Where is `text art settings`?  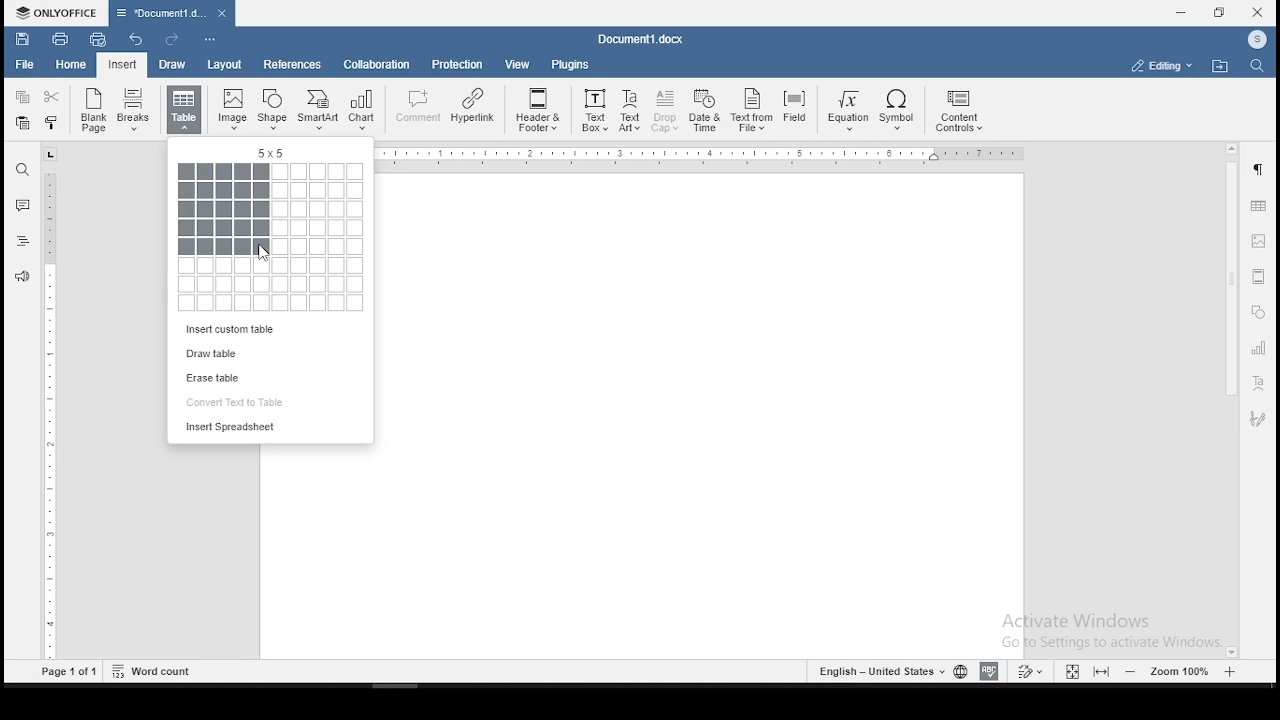
text art settings is located at coordinates (1258, 385).